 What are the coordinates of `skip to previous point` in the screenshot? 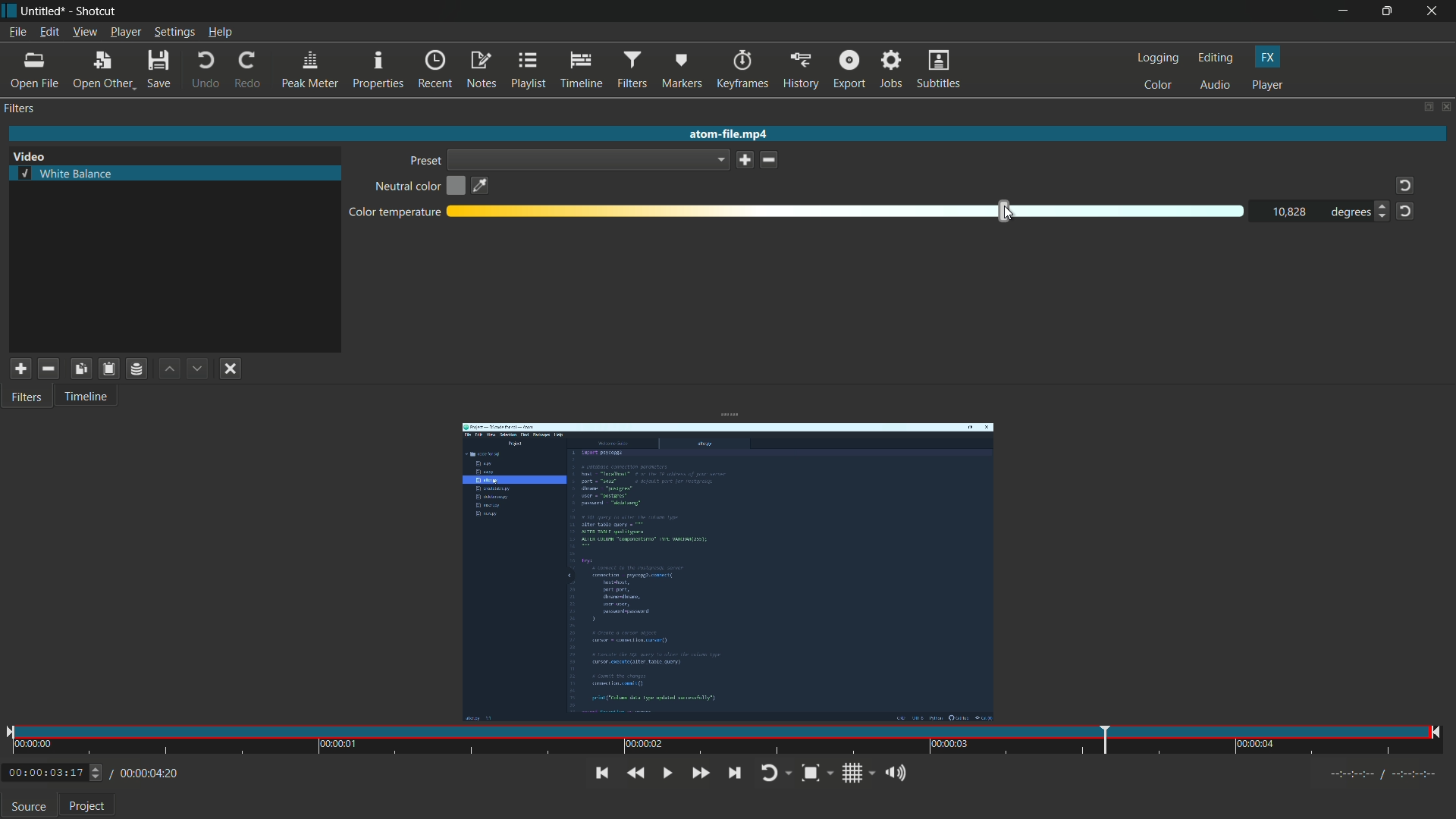 It's located at (599, 772).